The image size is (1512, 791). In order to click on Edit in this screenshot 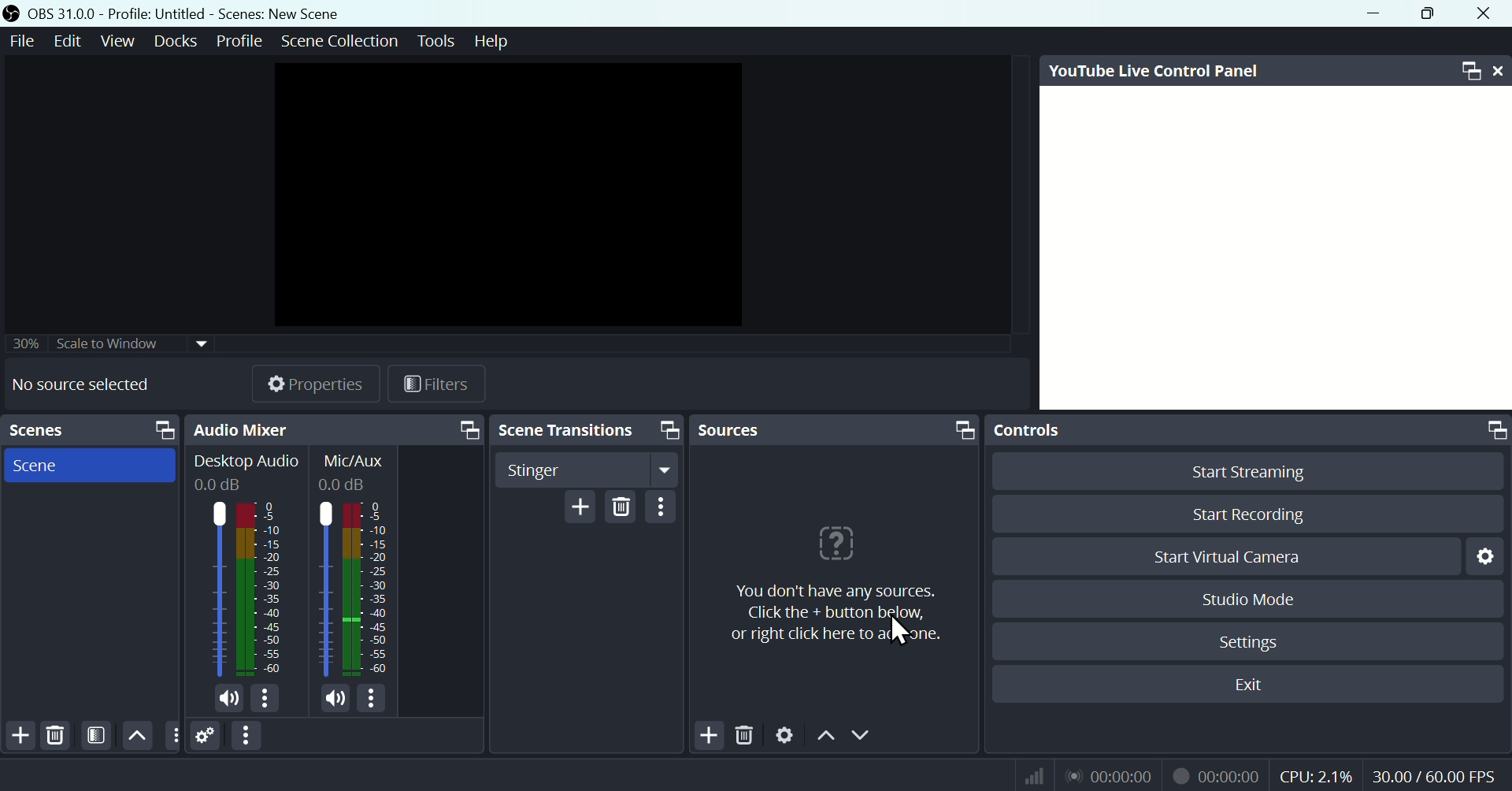, I will do `click(69, 42)`.